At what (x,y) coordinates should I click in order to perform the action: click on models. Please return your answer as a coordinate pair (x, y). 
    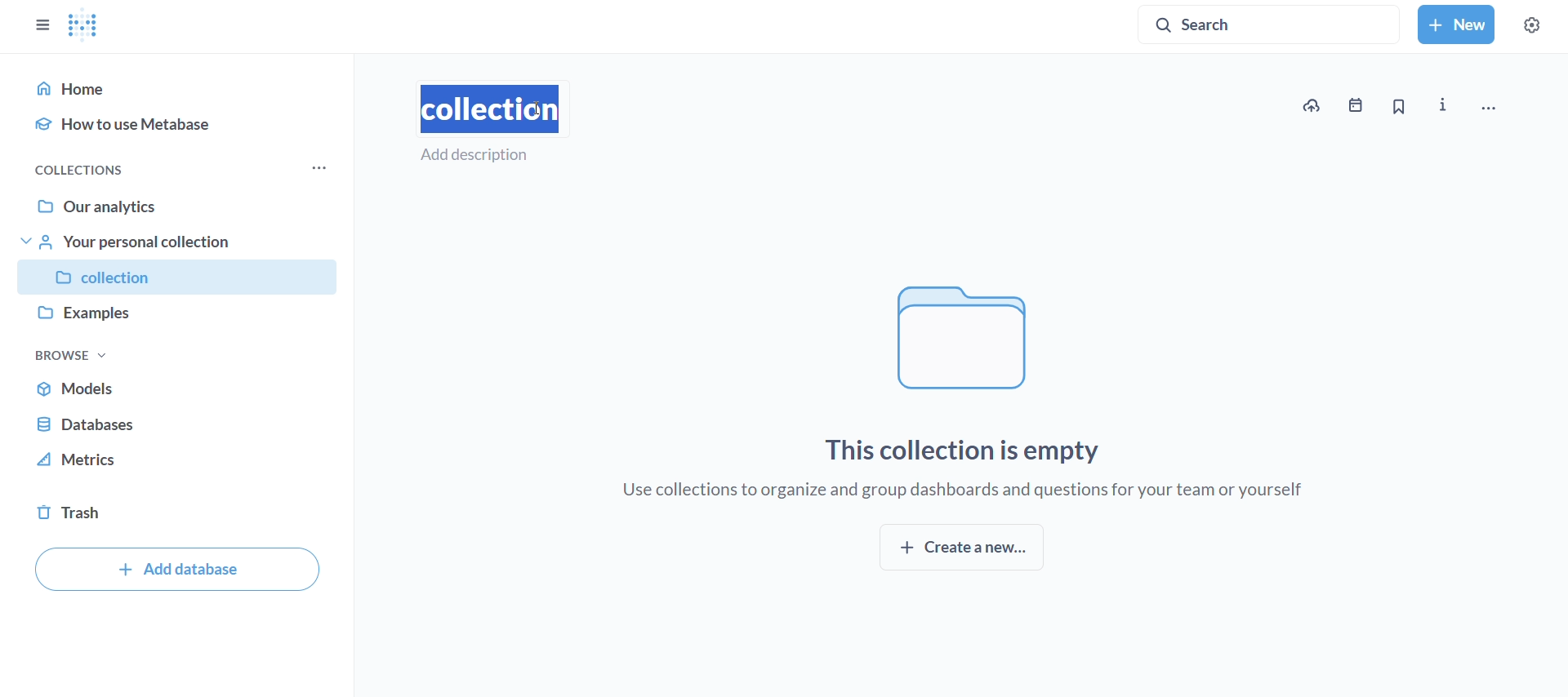
    Looking at the image, I should click on (179, 388).